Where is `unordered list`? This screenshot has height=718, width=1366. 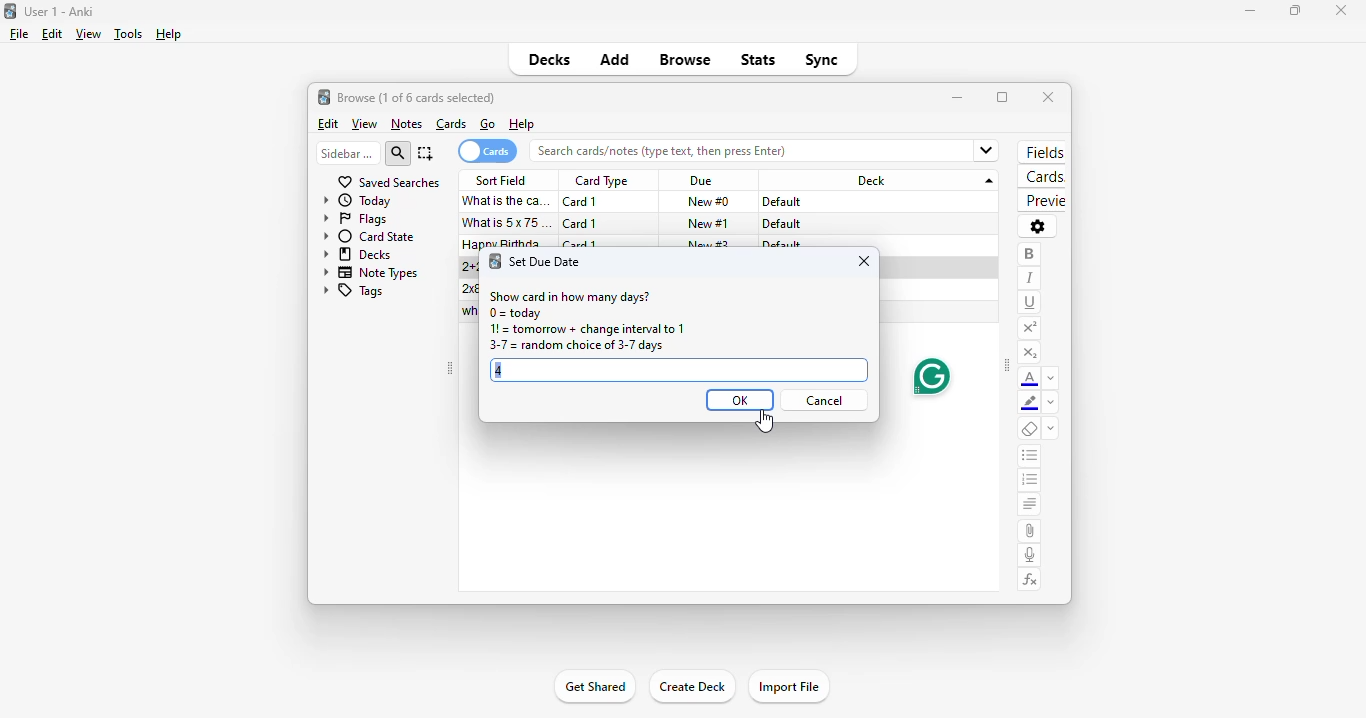
unordered list is located at coordinates (1030, 457).